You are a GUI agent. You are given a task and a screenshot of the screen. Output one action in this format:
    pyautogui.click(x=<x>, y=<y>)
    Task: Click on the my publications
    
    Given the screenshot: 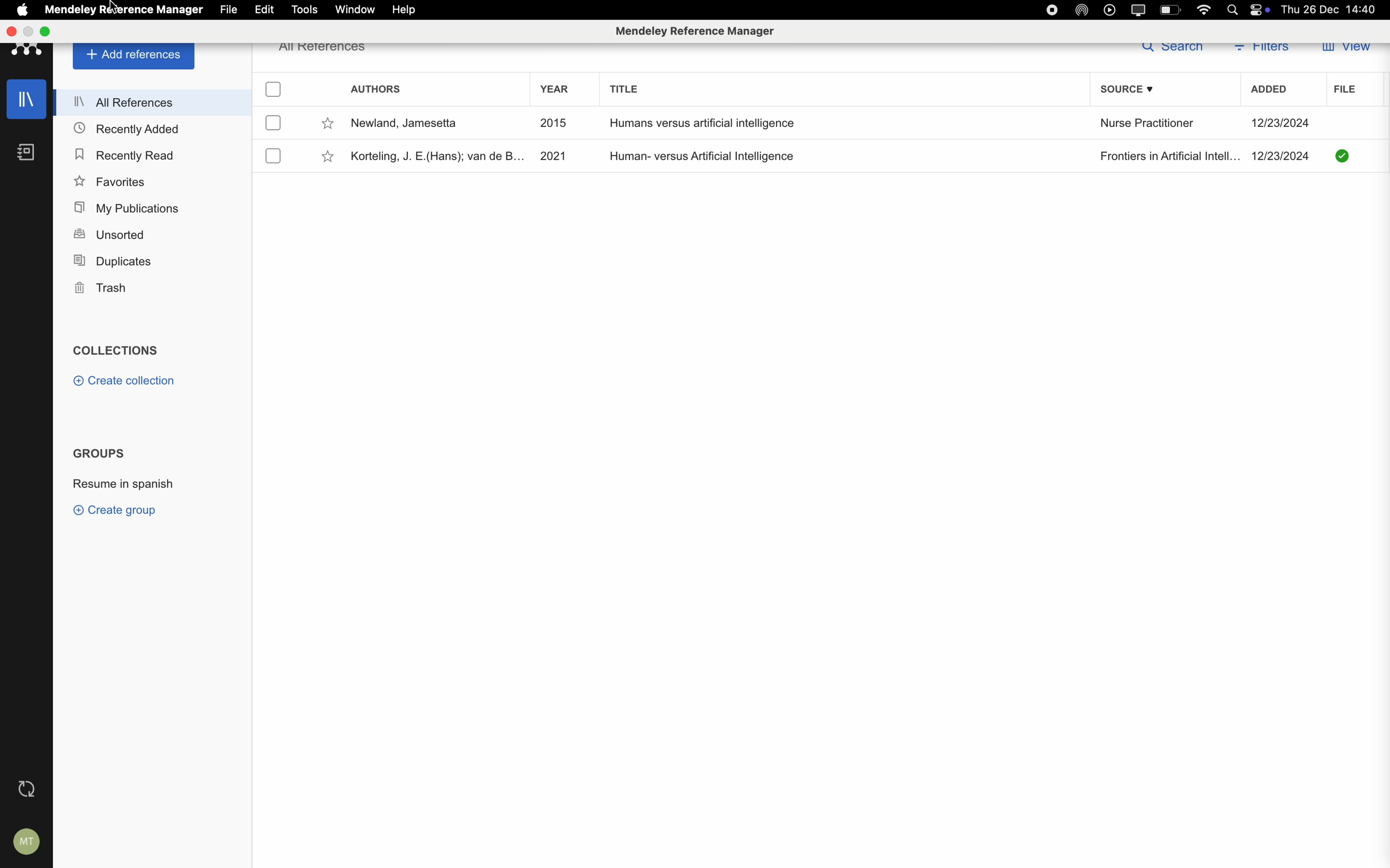 What is the action you would take?
    pyautogui.click(x=129, y=208)
    